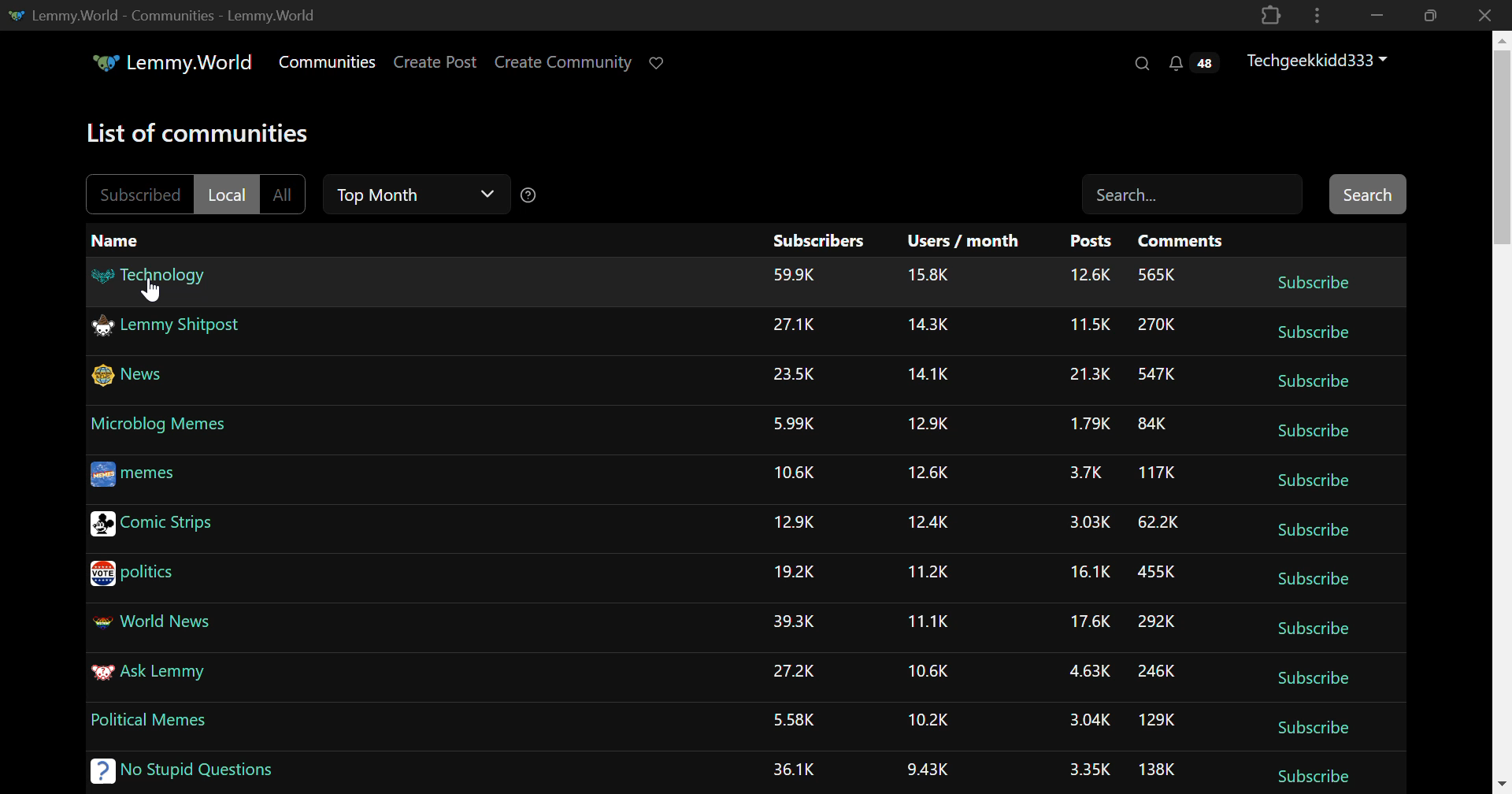  What do you see at coordinates (195, 132) in the screenshot?
I see `List of communities` at bounding box center [195, 132].